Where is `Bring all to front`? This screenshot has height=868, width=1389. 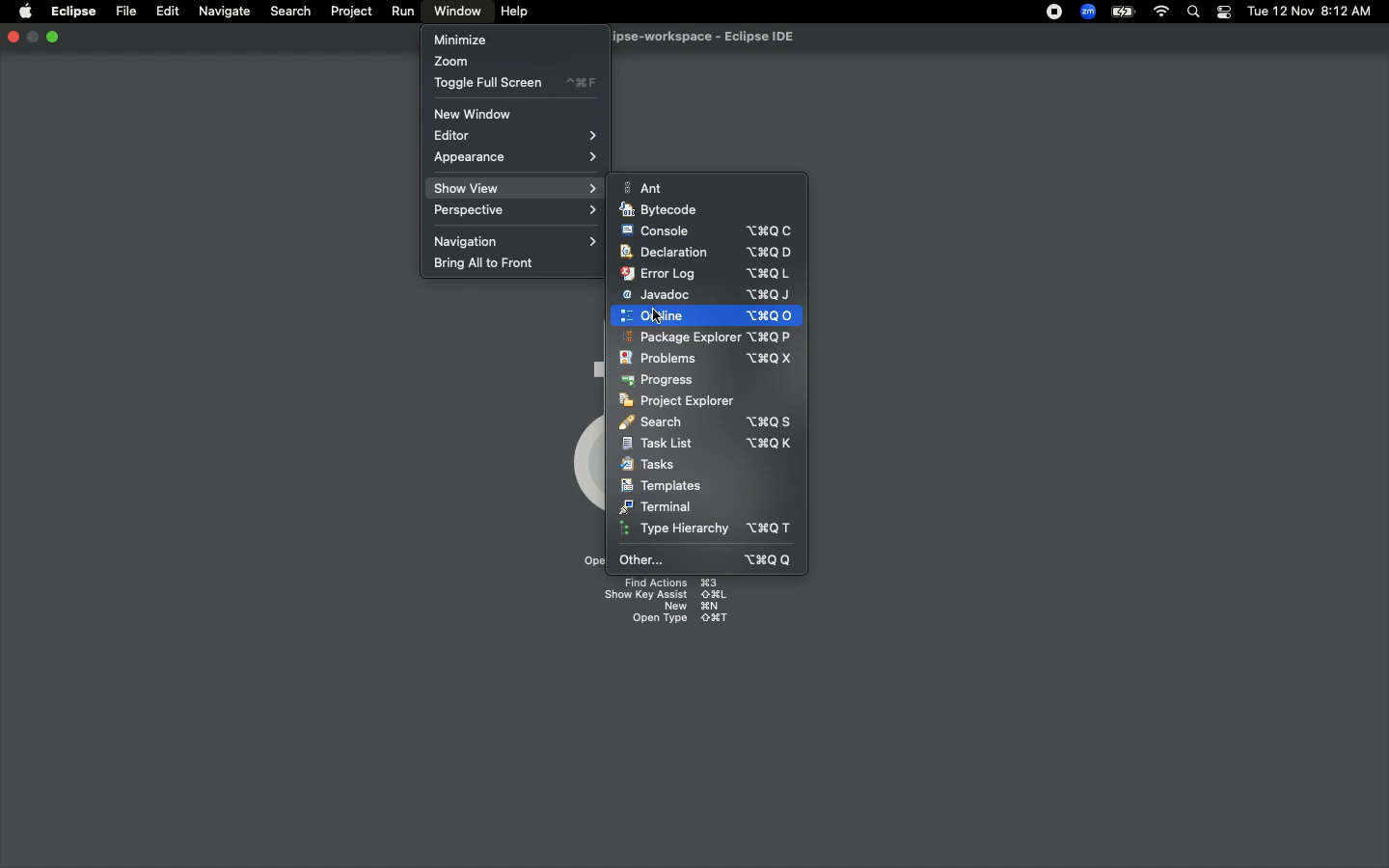 Bring all to front is located at coordinates (489, 265).